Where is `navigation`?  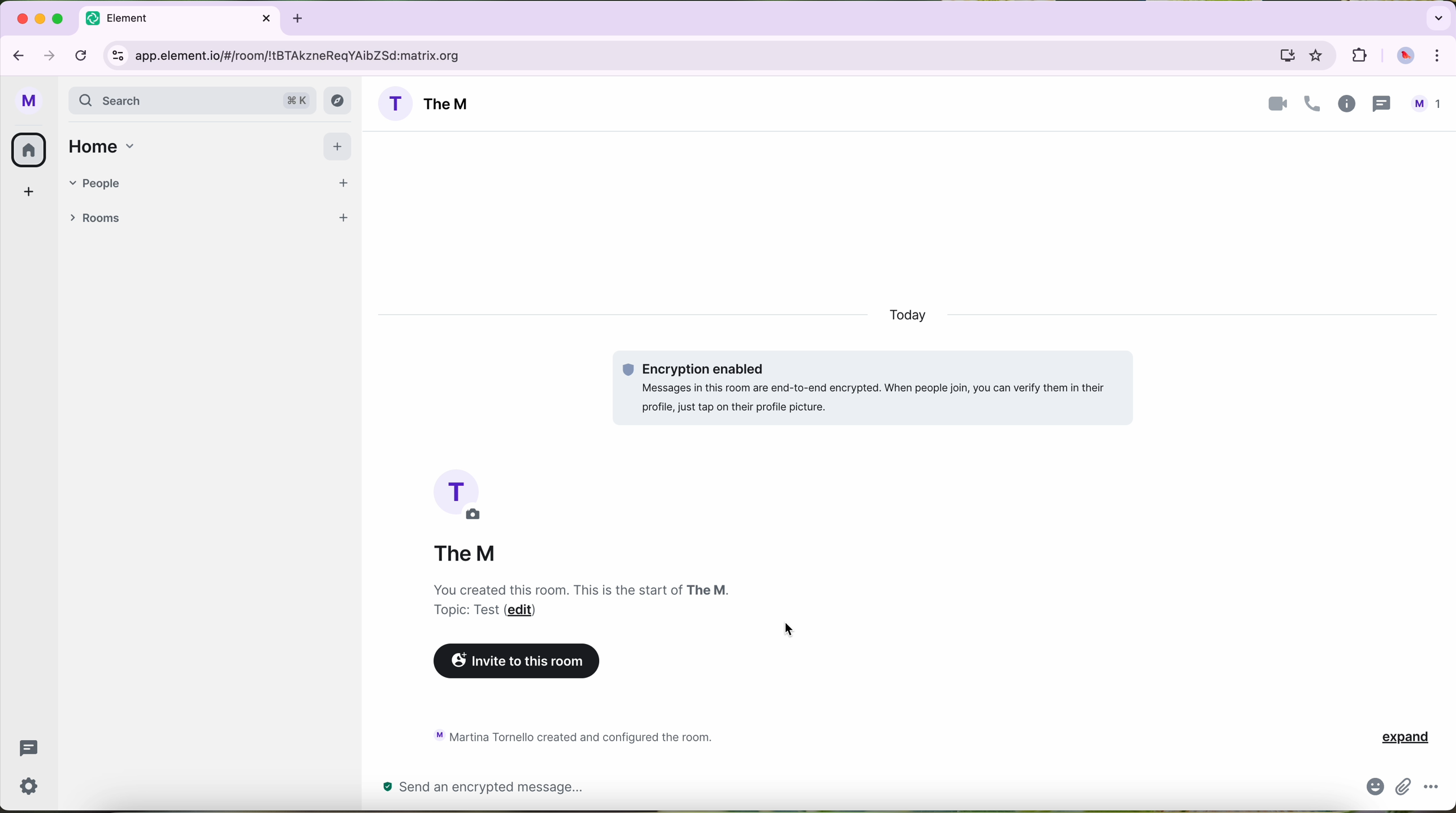 navigation is located at coordinates (338, 102).